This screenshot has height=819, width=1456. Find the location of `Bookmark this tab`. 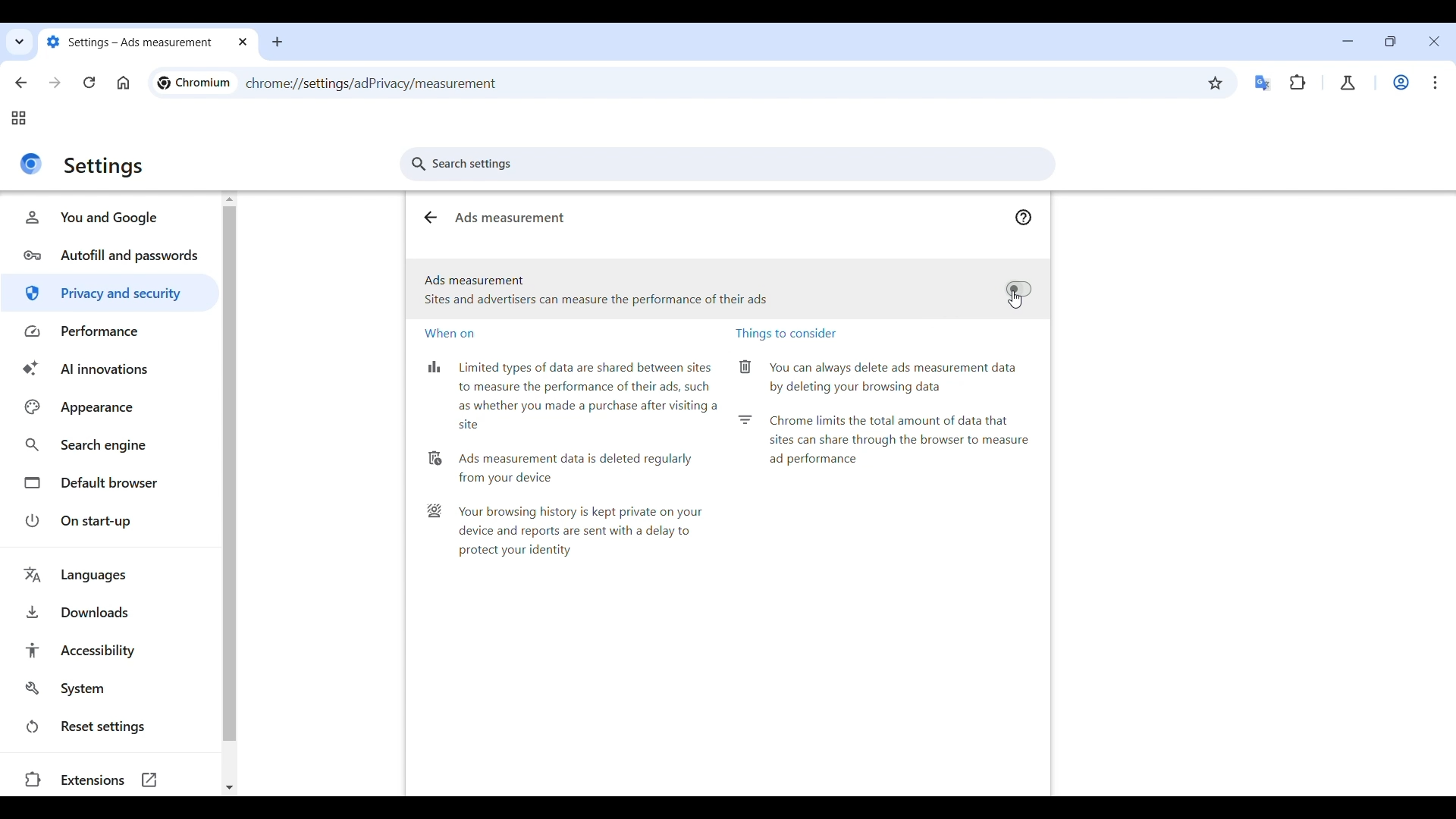

Bookmark this tab is located at coordinates (1216, 83).